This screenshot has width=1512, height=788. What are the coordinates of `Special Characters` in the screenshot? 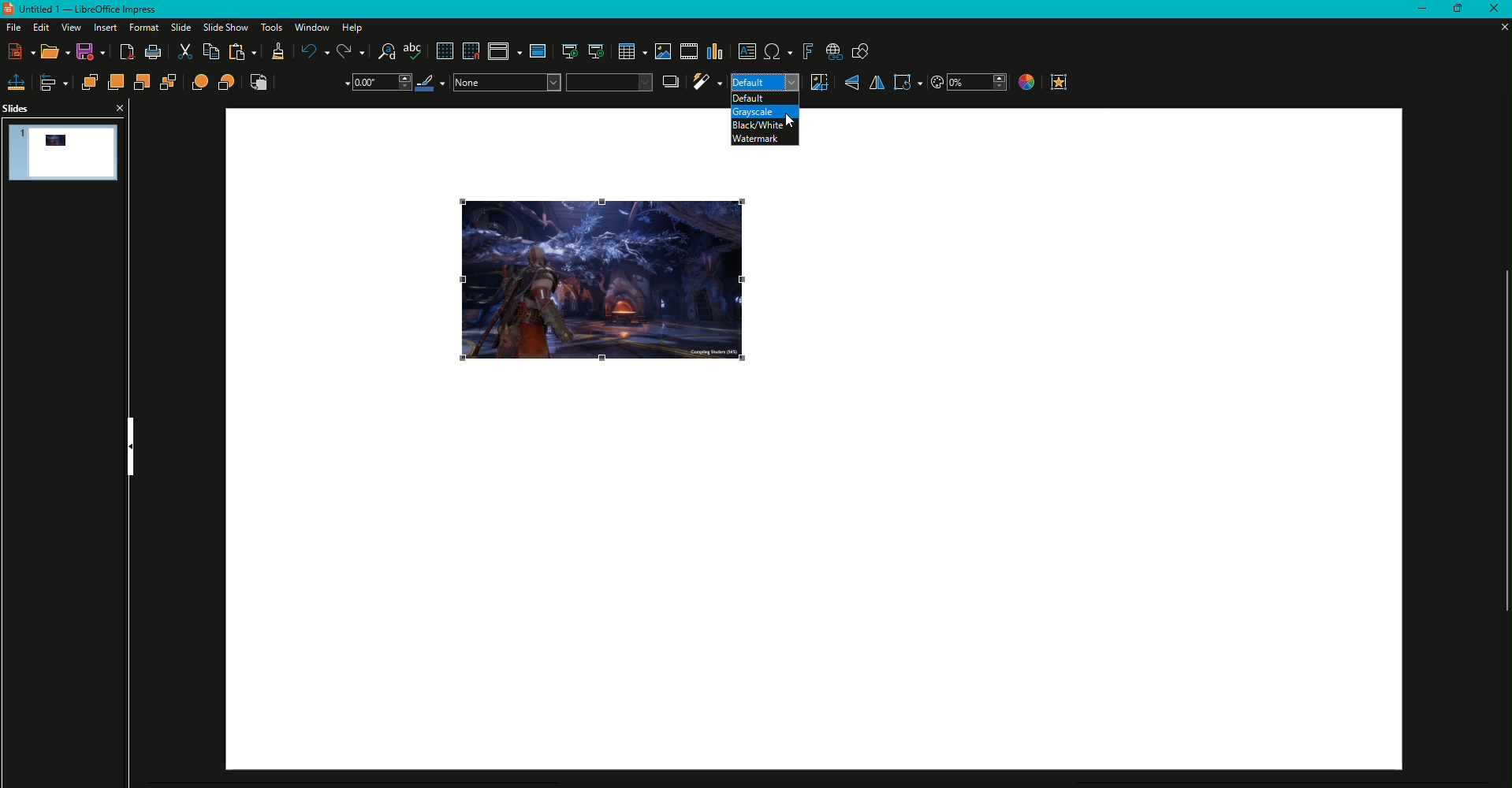 It's located at (778, 52).